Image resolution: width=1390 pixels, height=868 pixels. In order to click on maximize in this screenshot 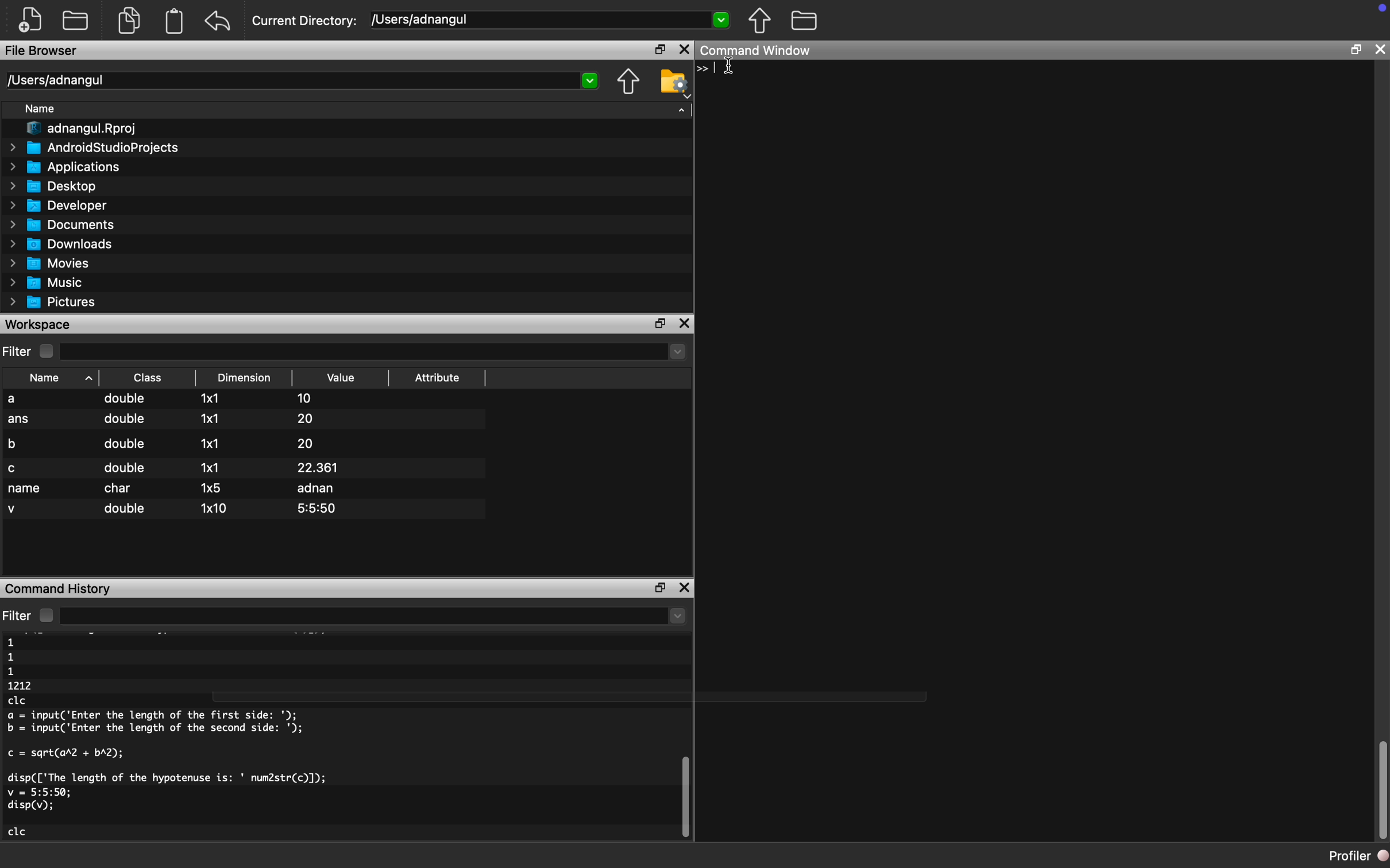, I will do `click(659, 50)`.